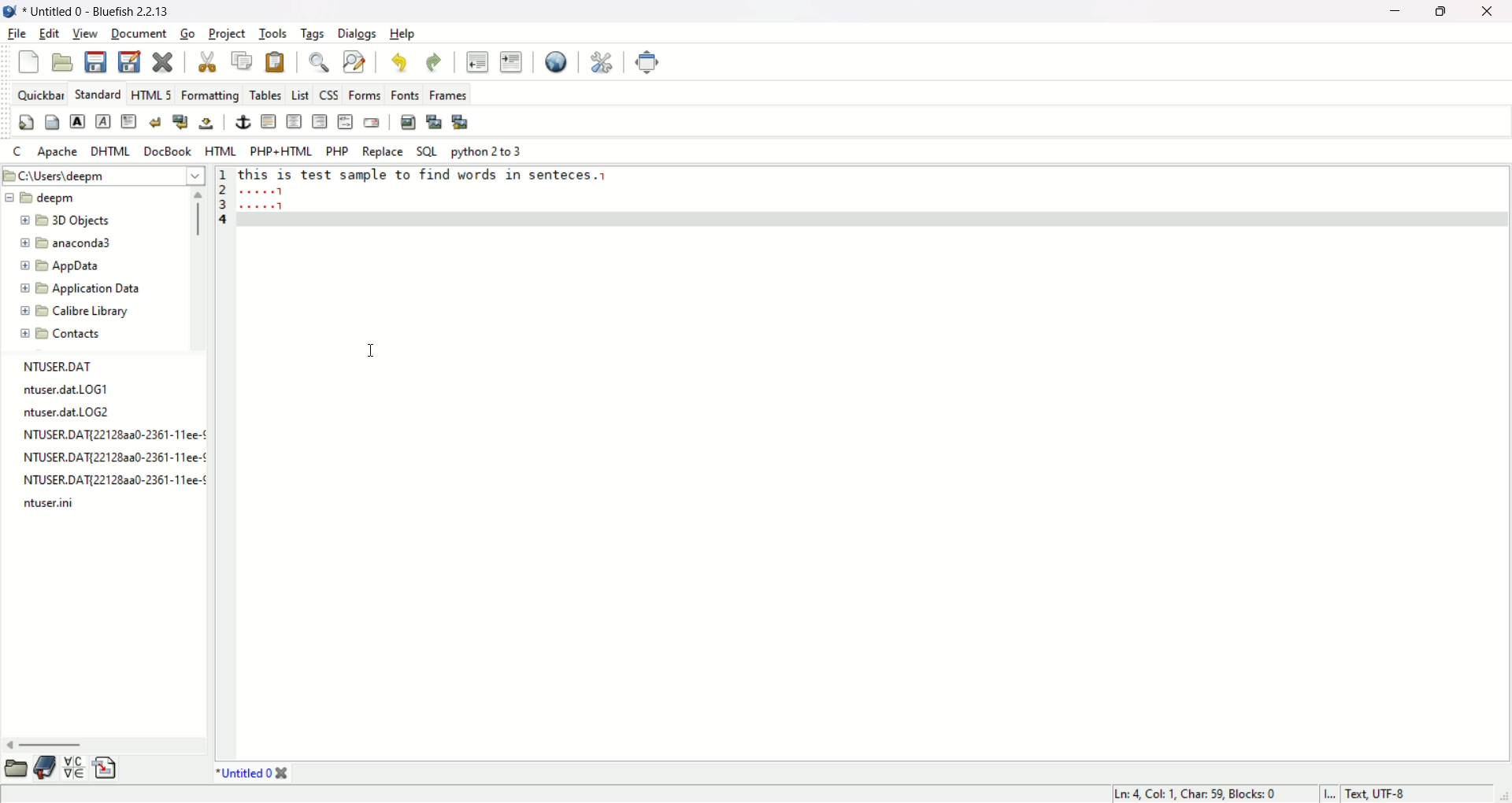 The width and height of the screenshot is (1512, 803). What do you see at coordinates (1395, 12) in the screenshot?
I see `minimize` at bounding box center [1395, 12].